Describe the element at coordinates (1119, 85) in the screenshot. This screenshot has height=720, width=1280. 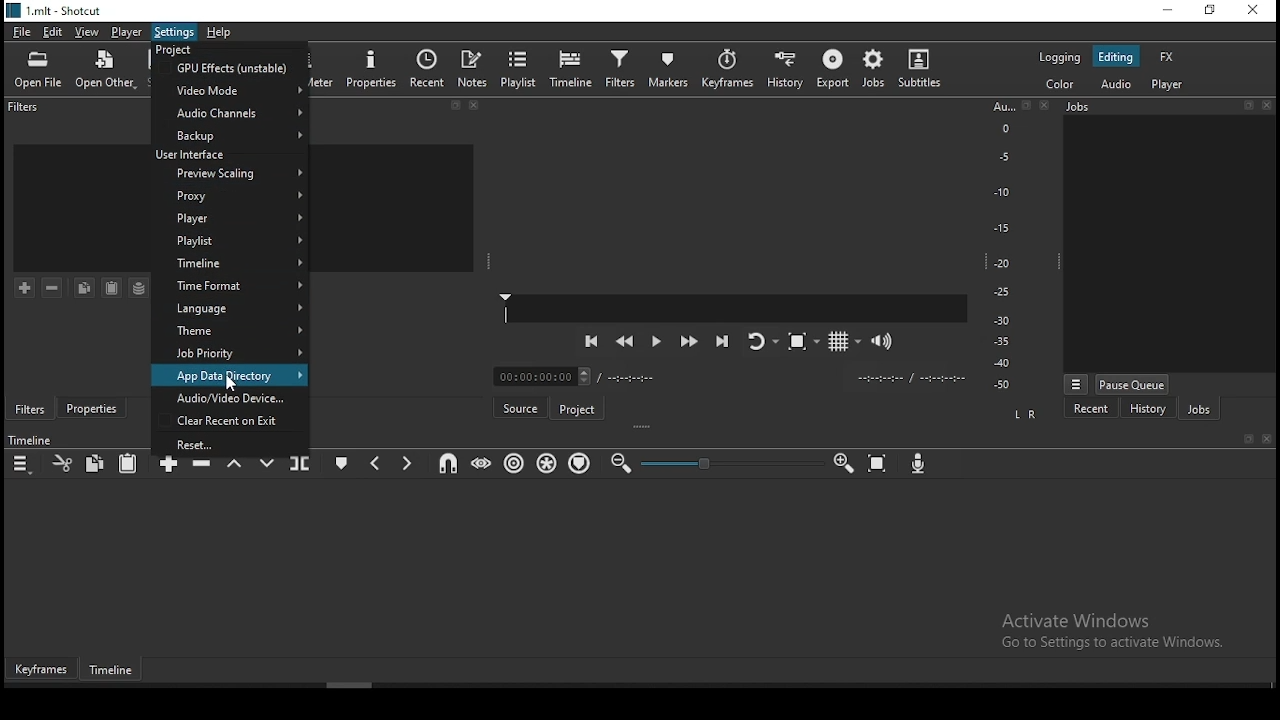
I see `audio` at that location.